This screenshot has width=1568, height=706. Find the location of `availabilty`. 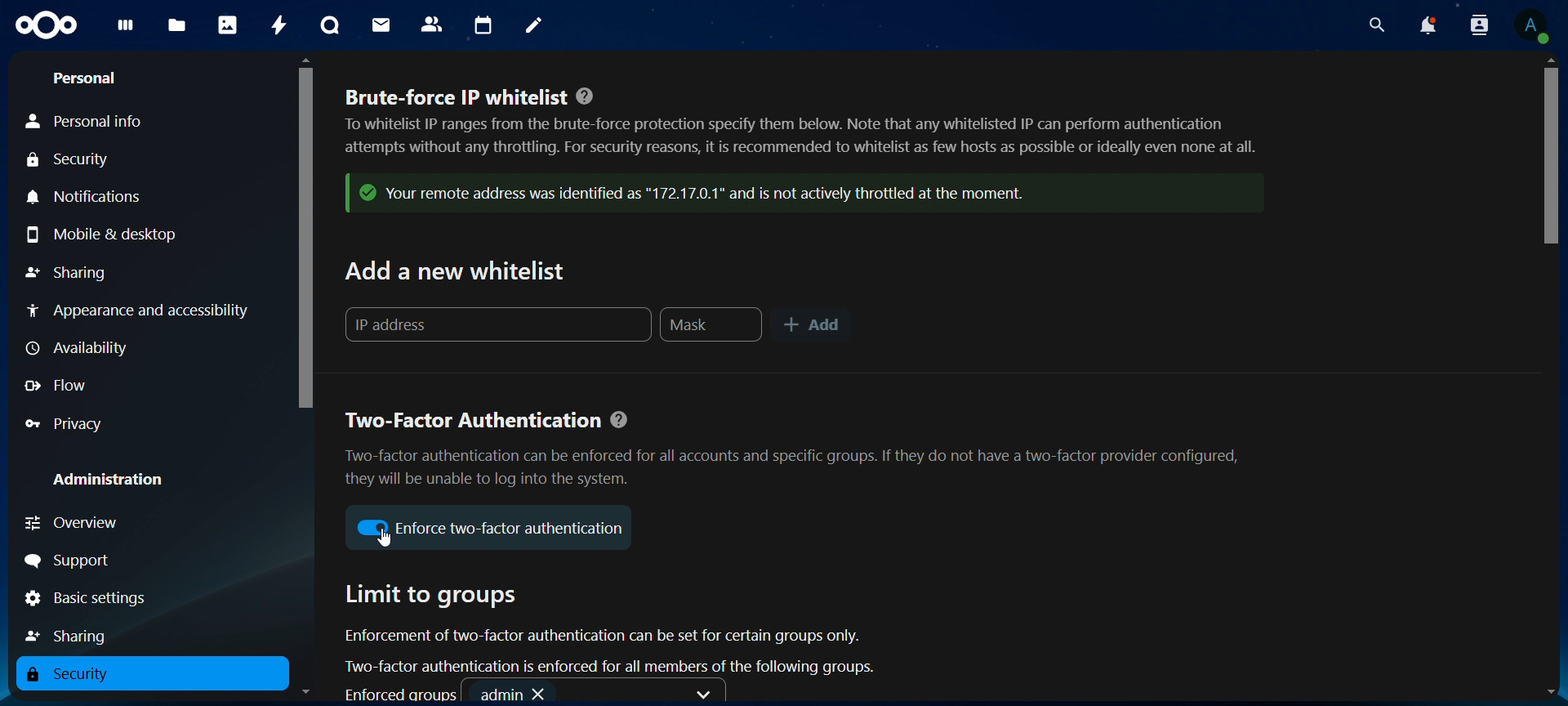

availabilty is located at coordinates (84, 346).